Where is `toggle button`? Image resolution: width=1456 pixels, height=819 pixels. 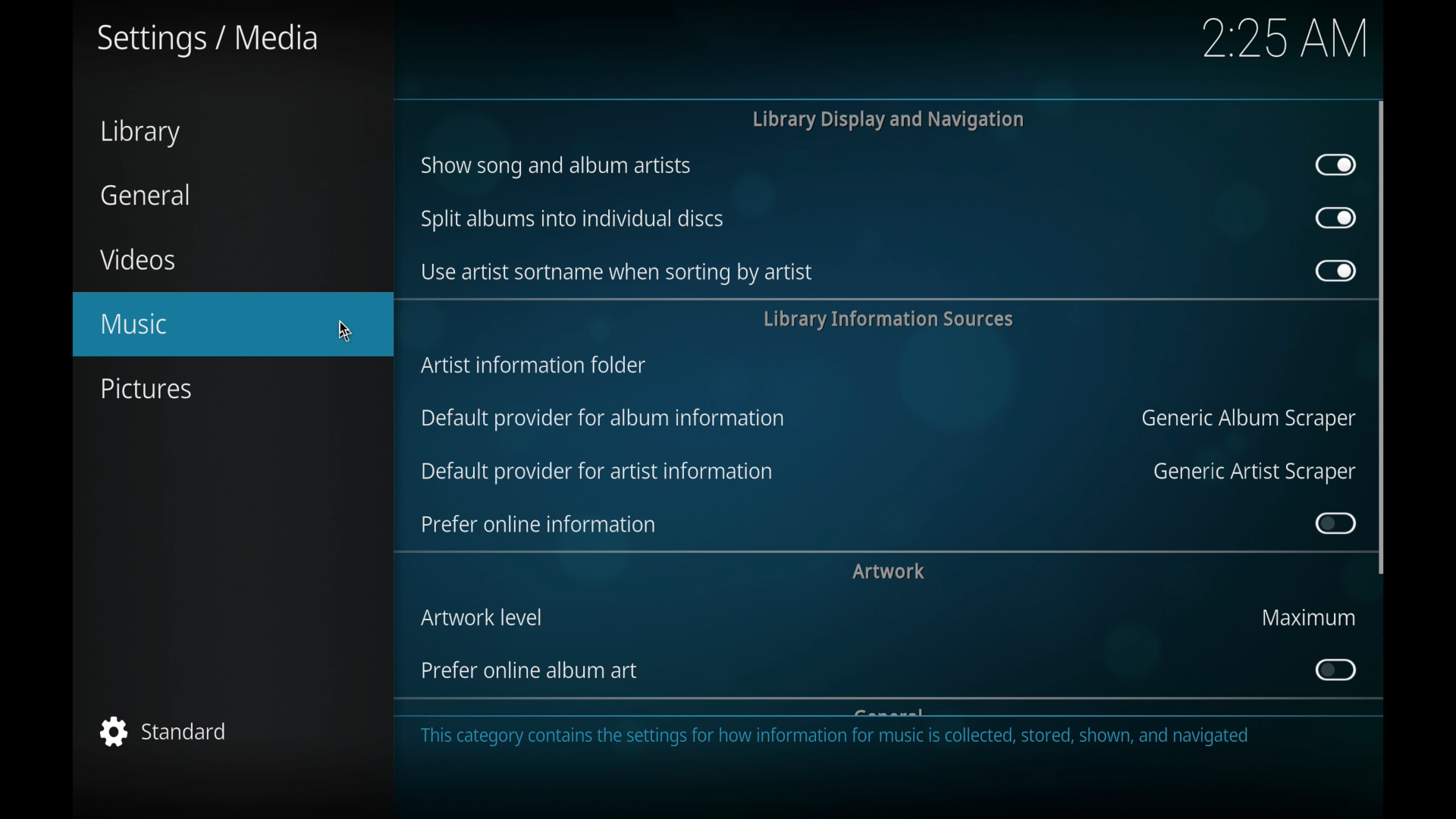 toggle button is located at coordinates (1336, 523).